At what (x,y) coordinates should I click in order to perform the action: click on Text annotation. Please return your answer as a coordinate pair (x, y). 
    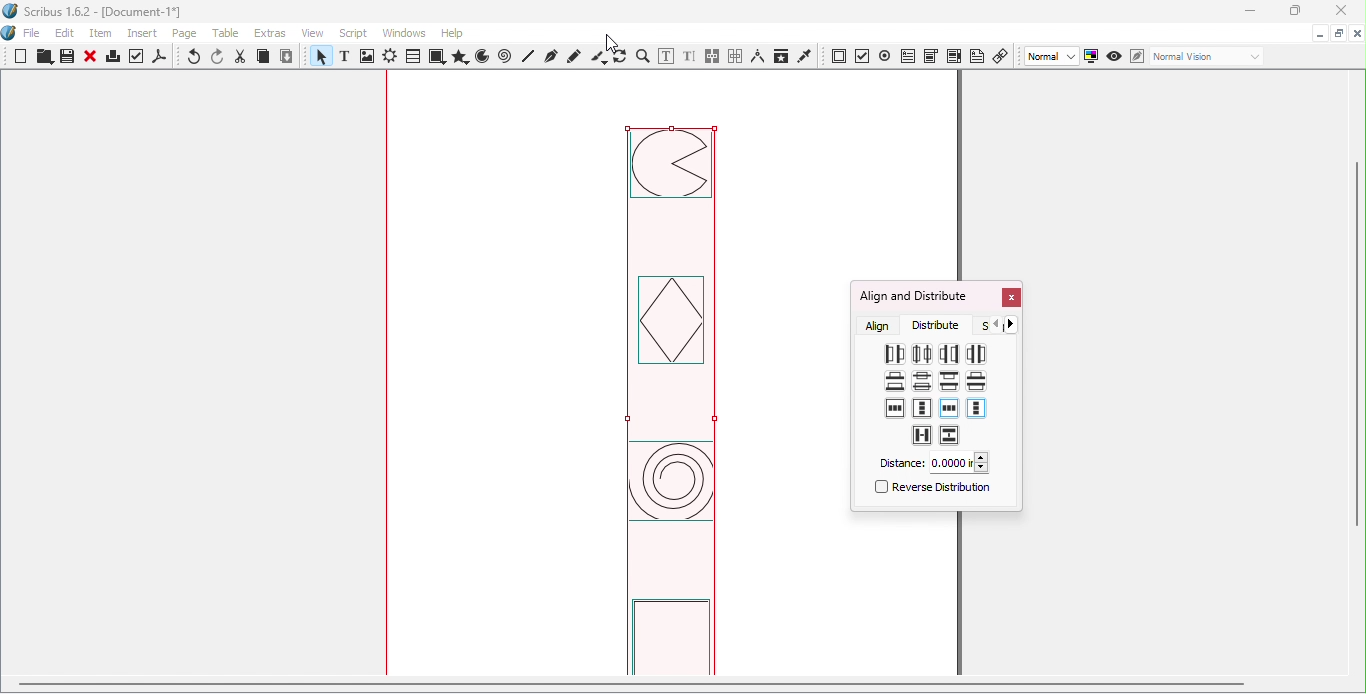
    Looking at the image, I should click on (977, 55).